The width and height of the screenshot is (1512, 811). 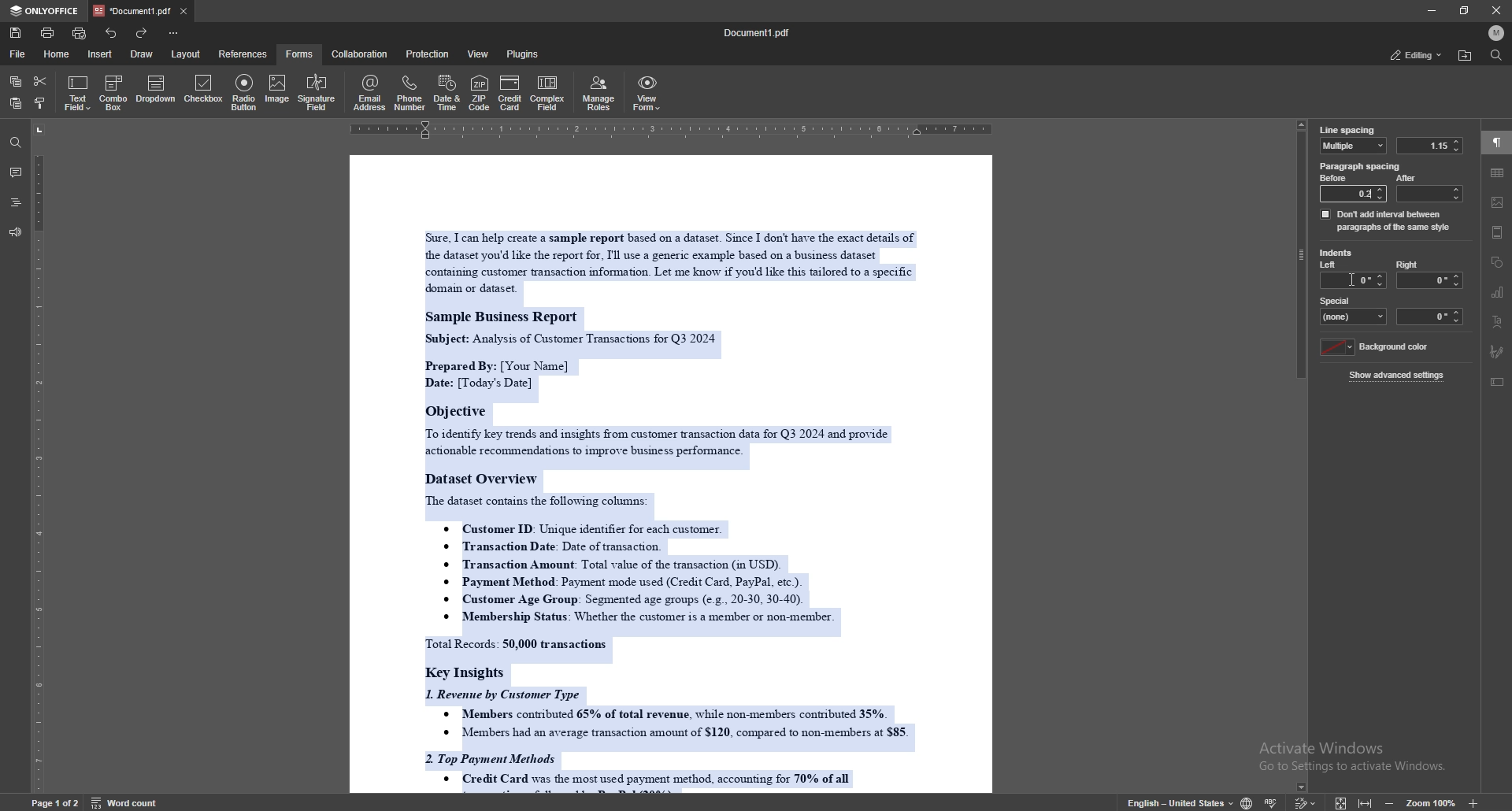 What do you see at coordinates (479, 92) in the screenshot?
I see `zip code` at bounding box center [479, 92].